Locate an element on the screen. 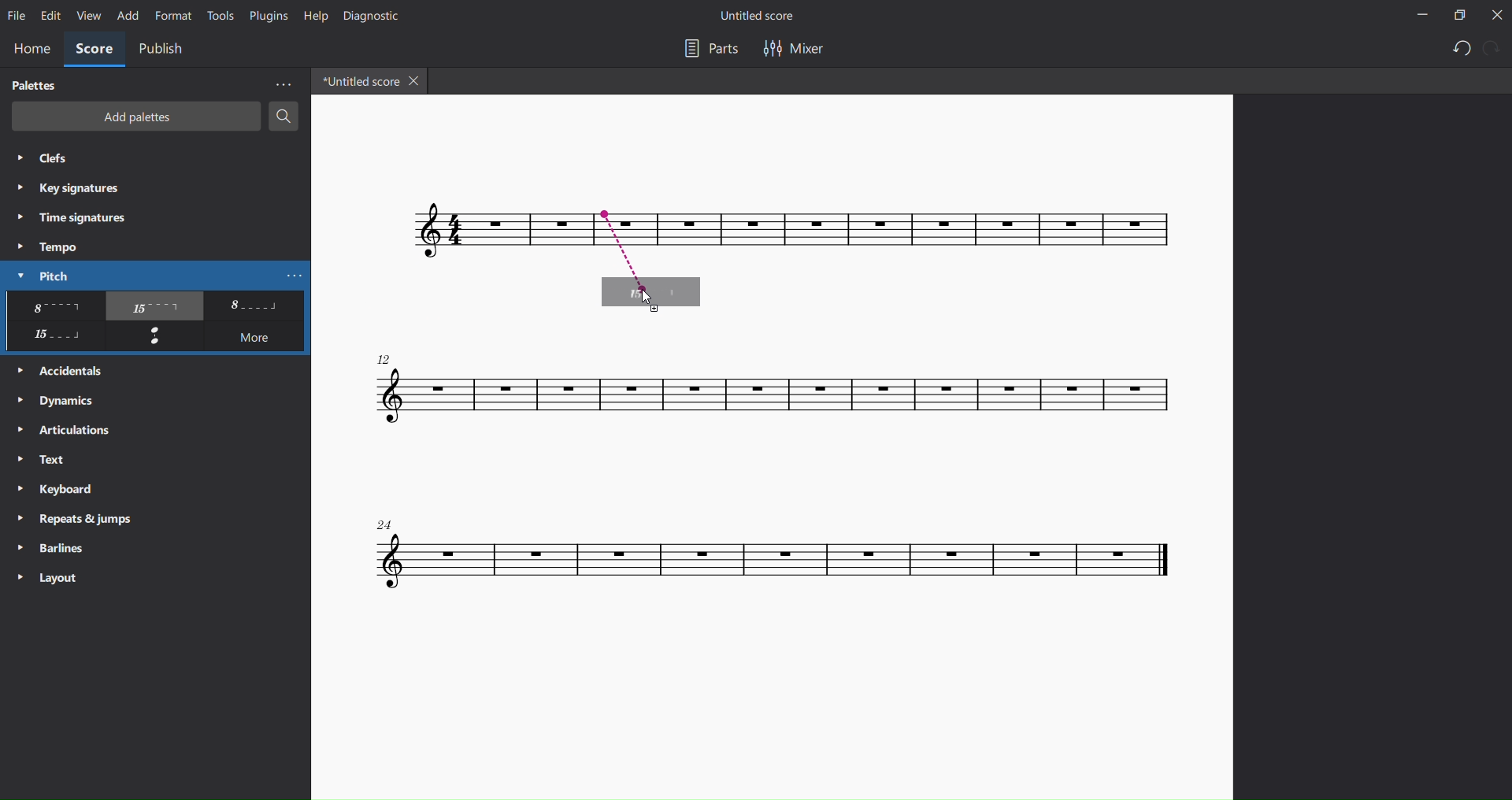 This screenshot has width=1512, height=800. more is located at coordinates (257, 339).